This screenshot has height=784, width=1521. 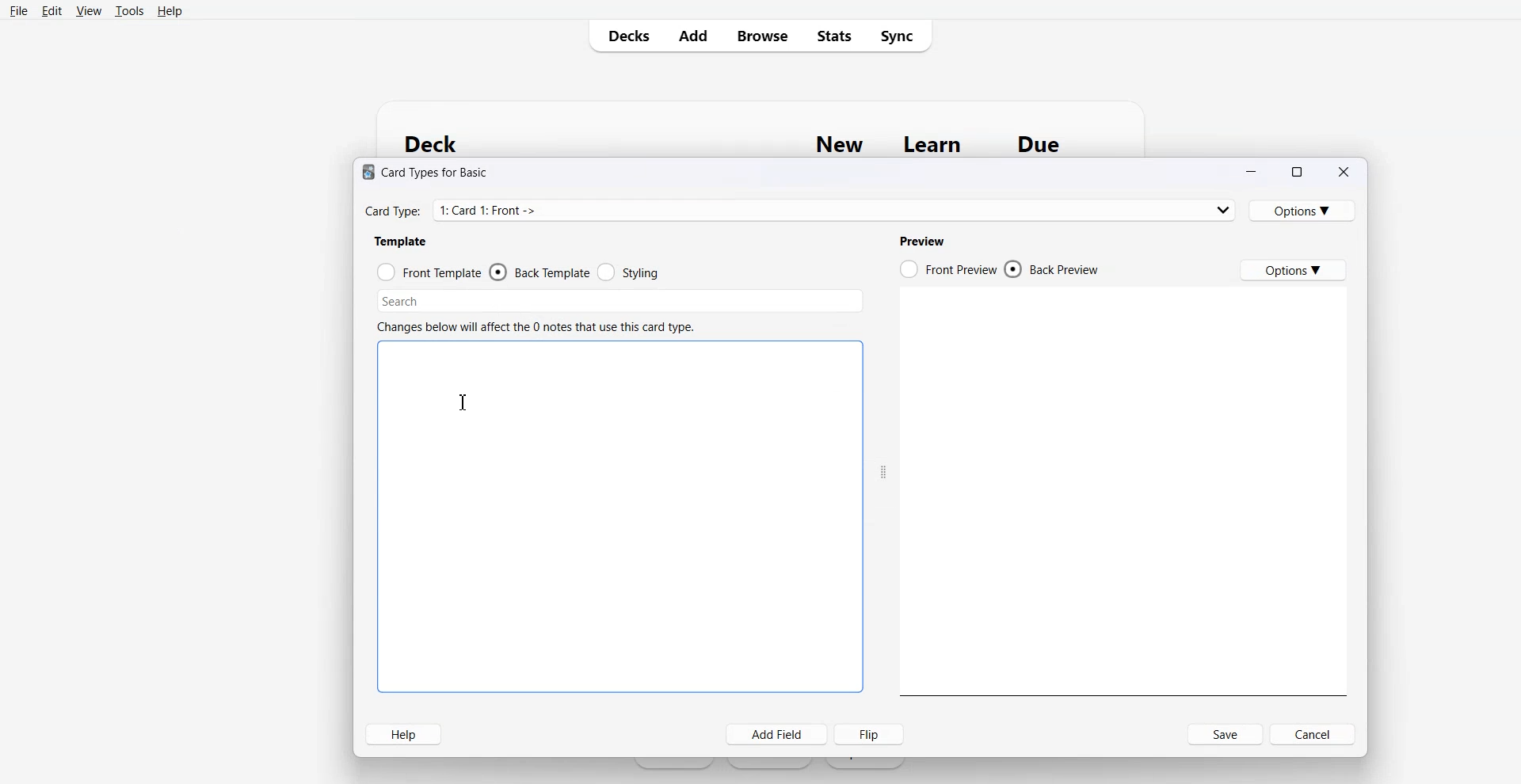 I want to click on Styling, so click(x=629, y=270).